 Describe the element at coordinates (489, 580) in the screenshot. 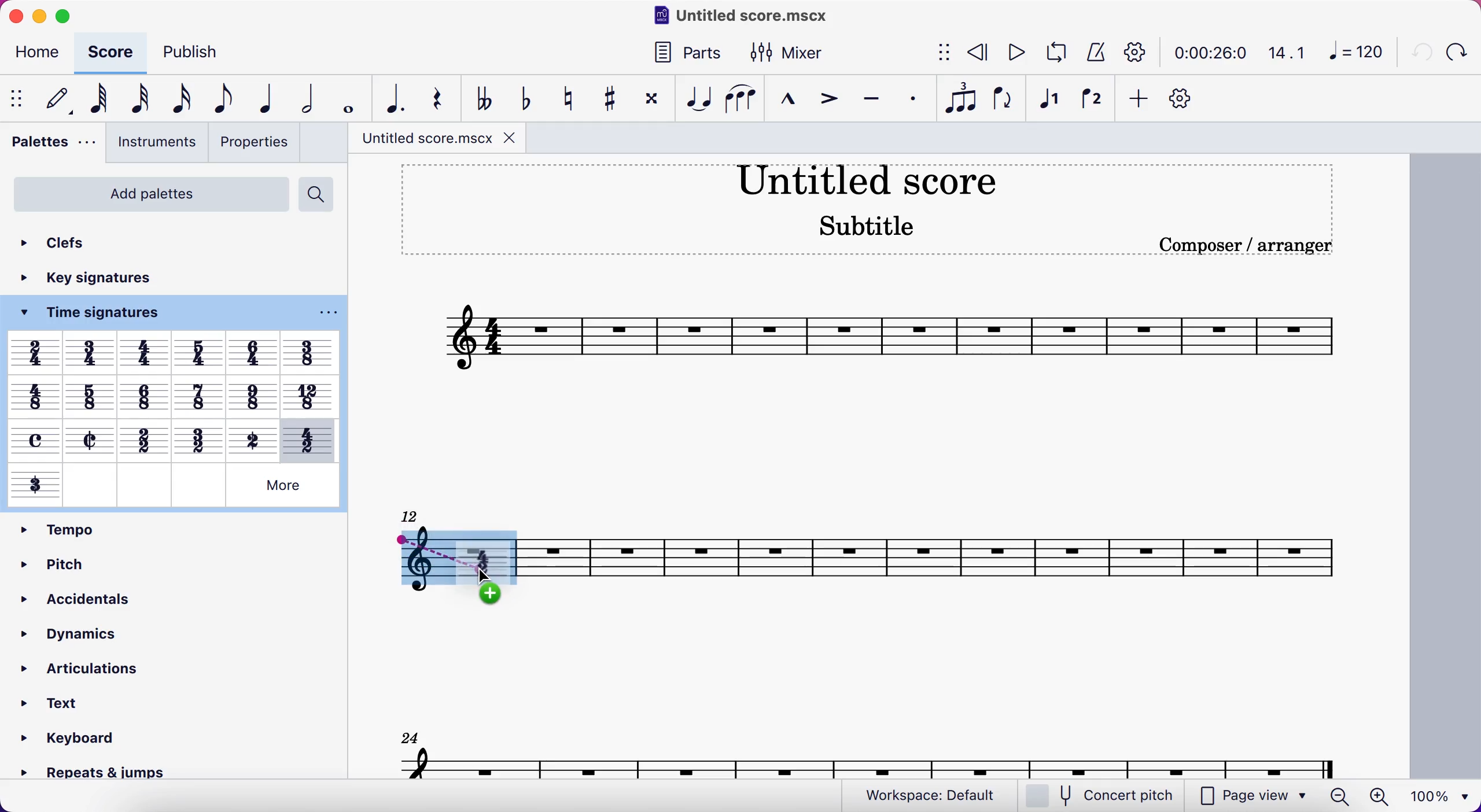

I see `cursor` at that location.